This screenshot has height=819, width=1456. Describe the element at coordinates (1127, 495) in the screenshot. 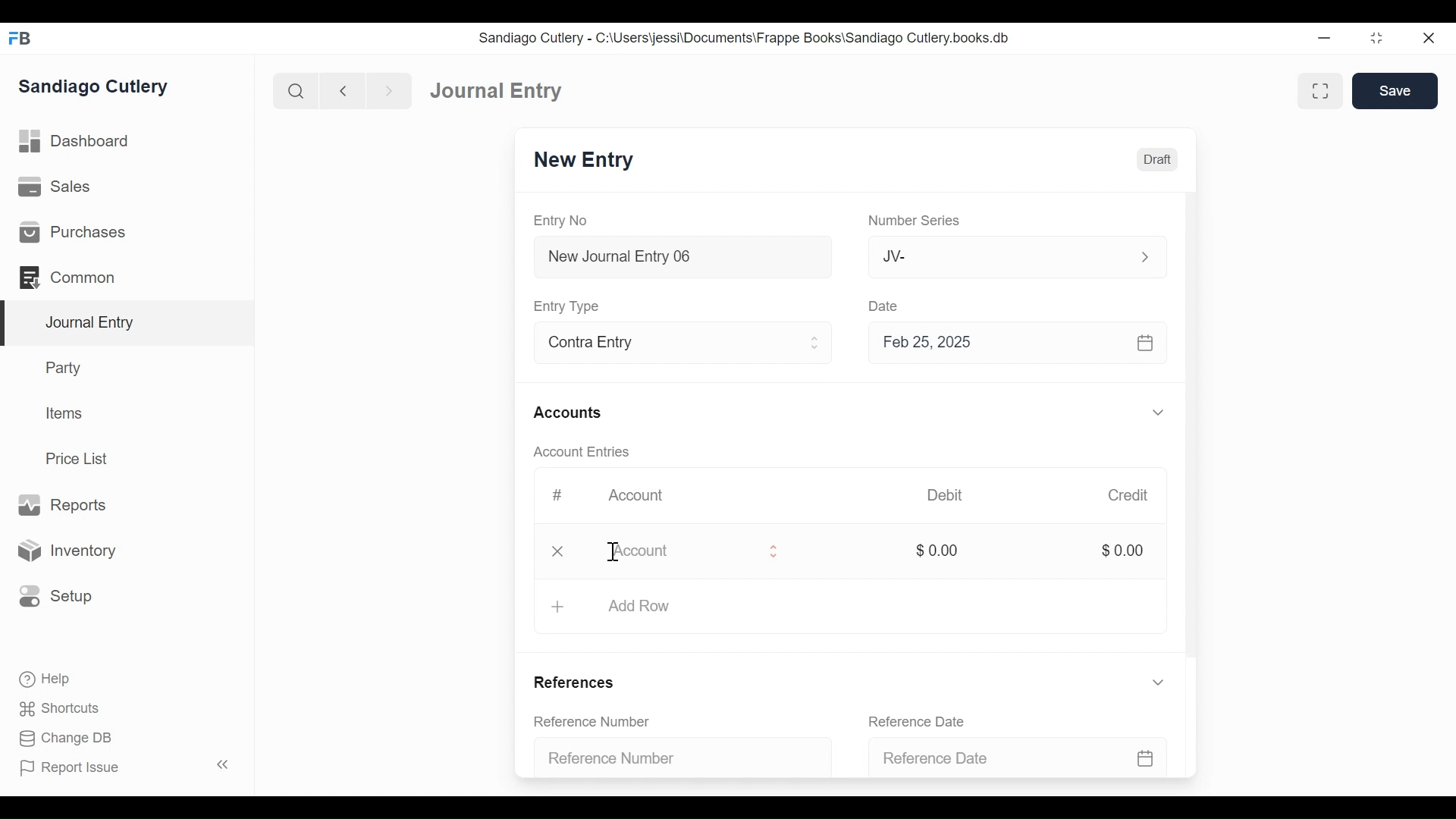

I see `Credit` at that location.